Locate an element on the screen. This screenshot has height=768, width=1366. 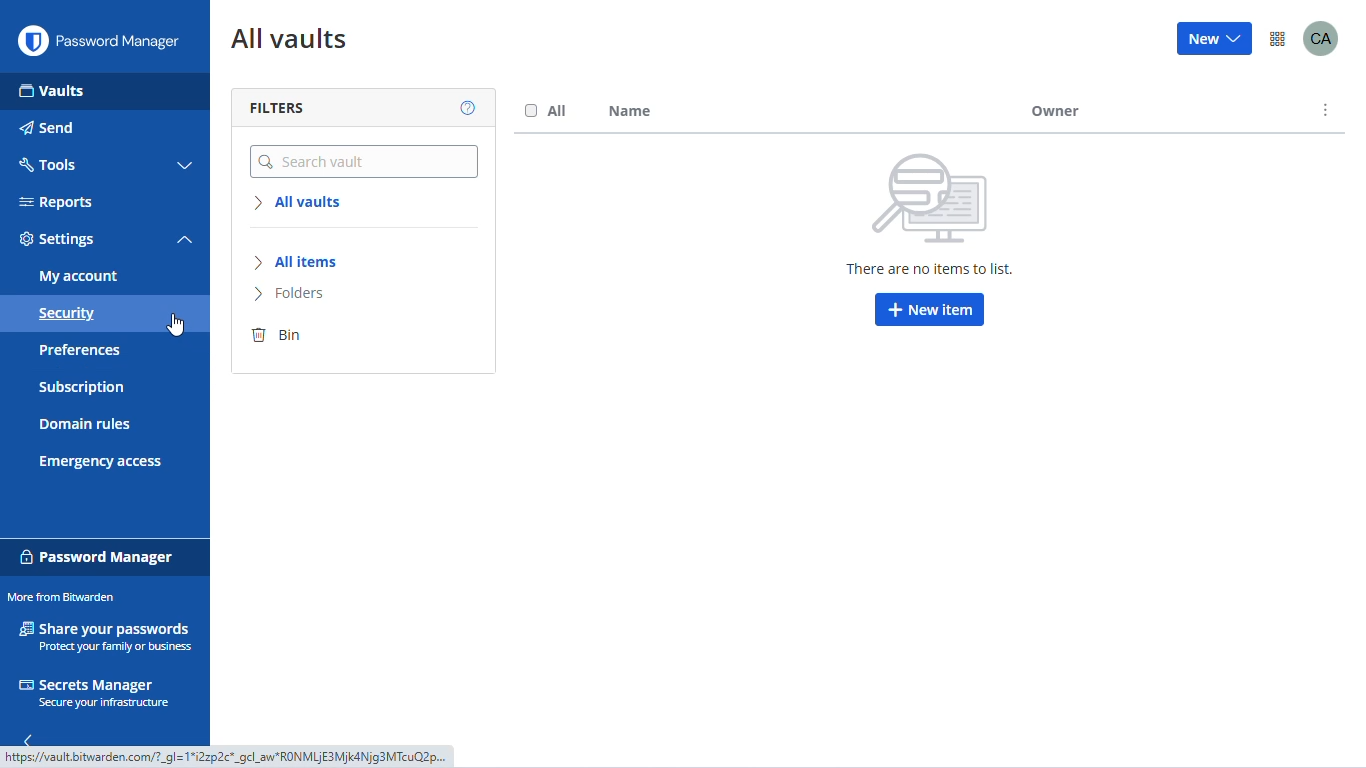
all items is located at coordinates (299, 262).